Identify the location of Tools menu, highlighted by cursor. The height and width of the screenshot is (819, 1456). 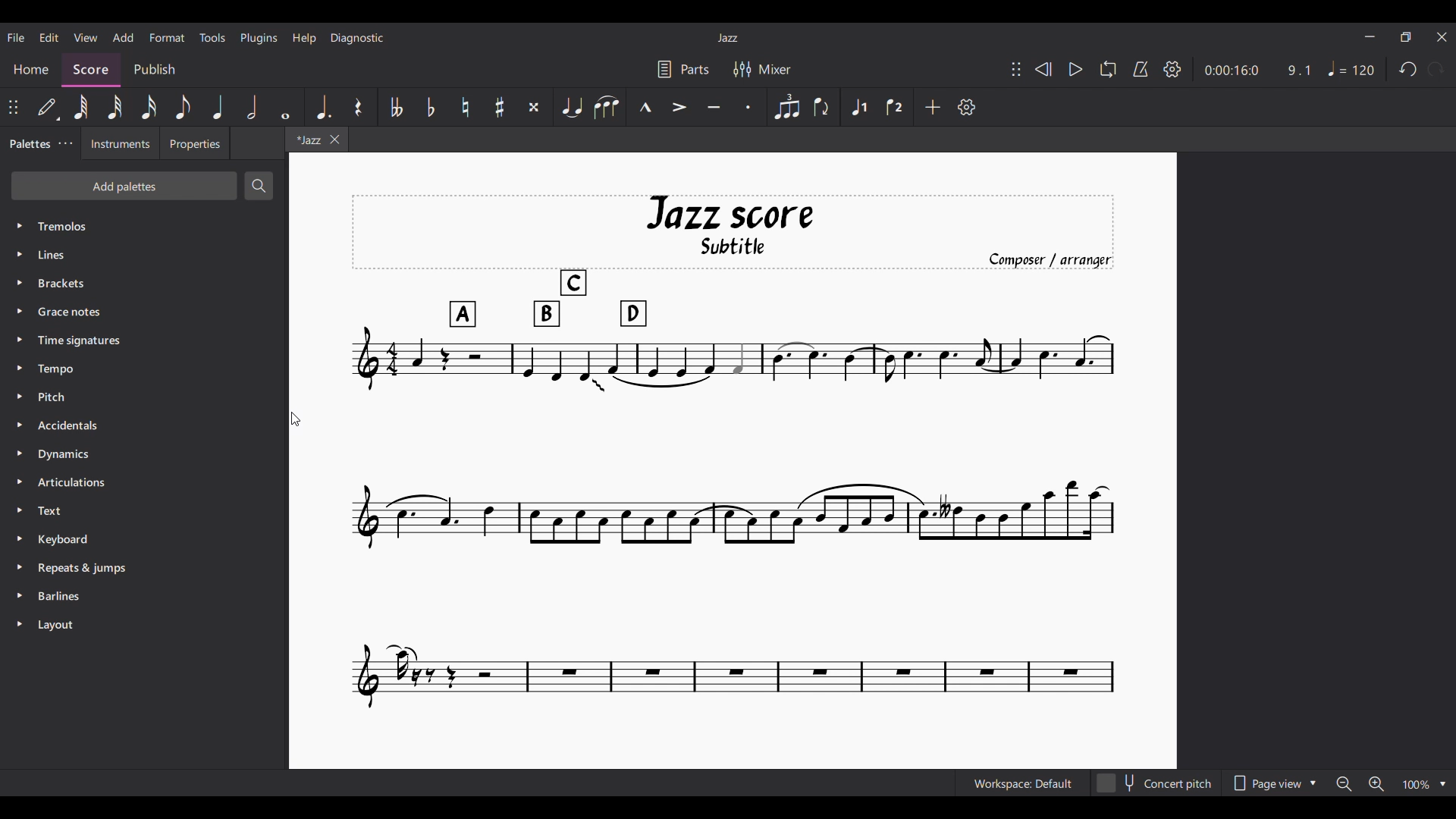
(211, 37).